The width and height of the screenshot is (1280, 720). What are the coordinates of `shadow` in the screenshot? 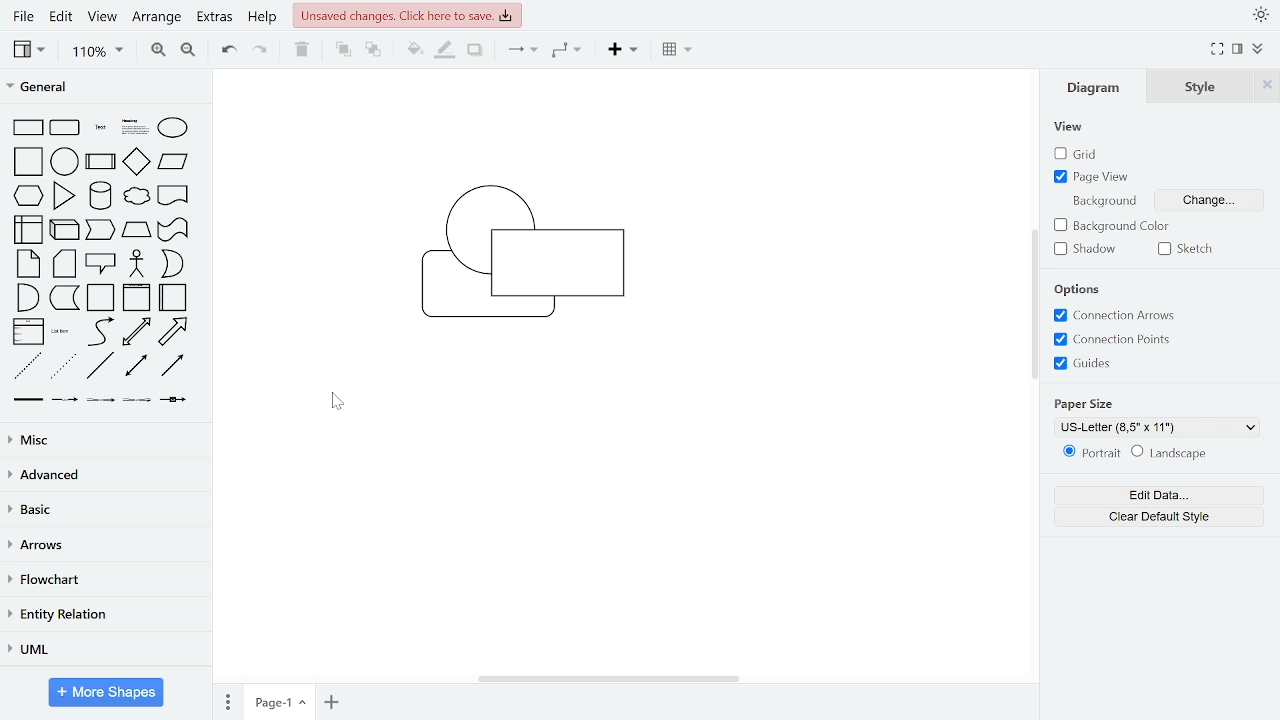 It's located at (478, 53).